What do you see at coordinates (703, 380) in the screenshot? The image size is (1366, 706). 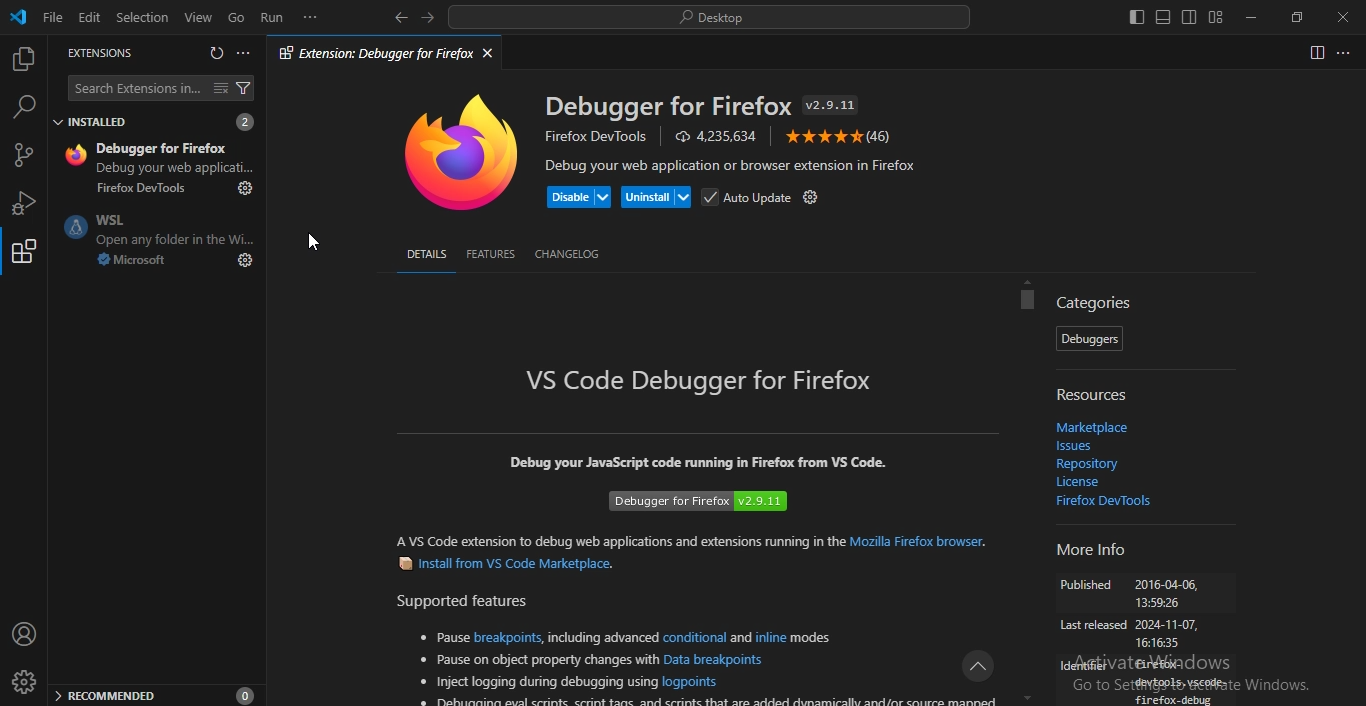 I see `VS Code Debugger for Firefox` at bounding box center [703, 380].